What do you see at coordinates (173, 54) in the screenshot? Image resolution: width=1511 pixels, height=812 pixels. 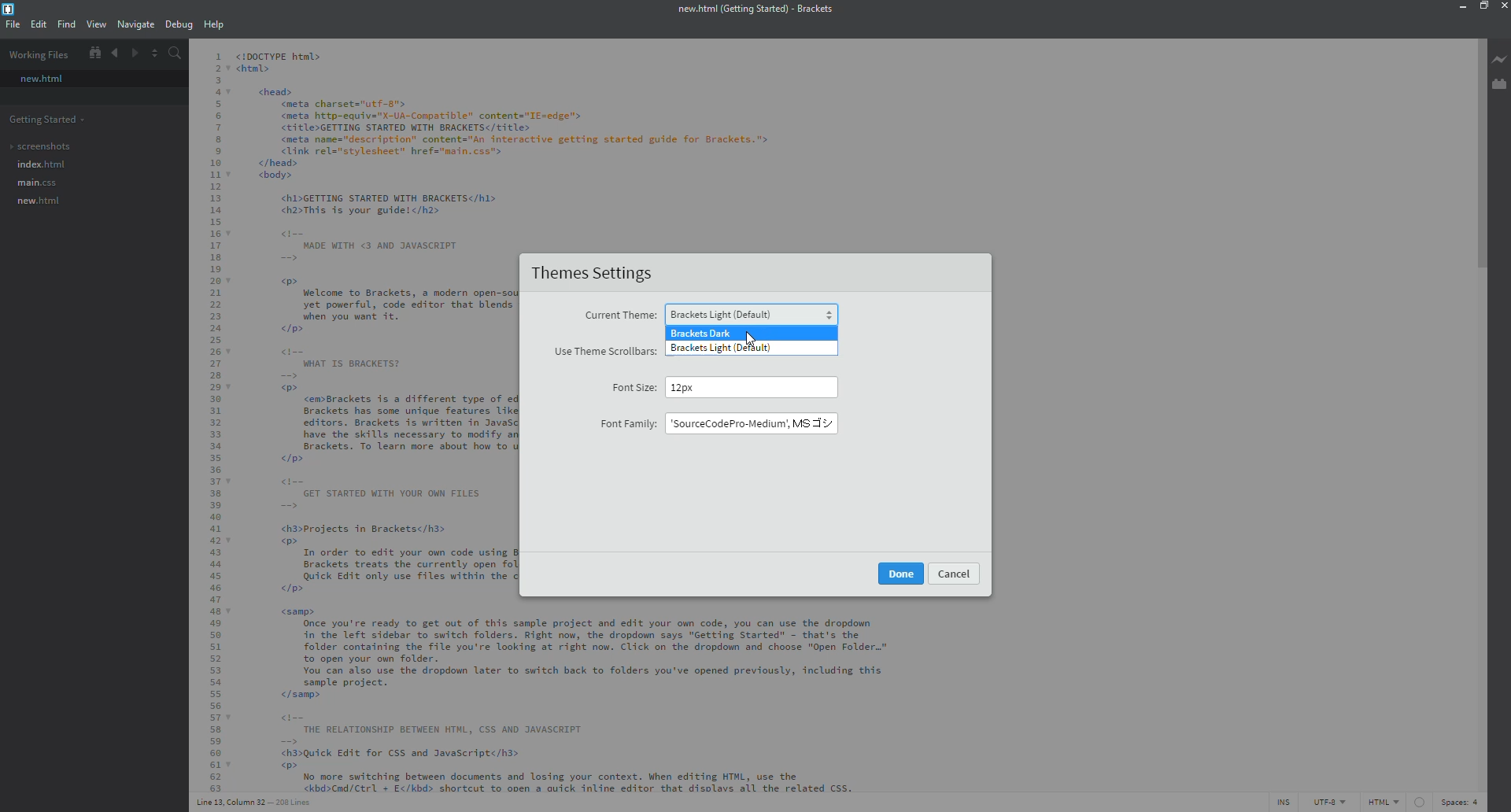 I see `search` at bounding box center [173, 54].